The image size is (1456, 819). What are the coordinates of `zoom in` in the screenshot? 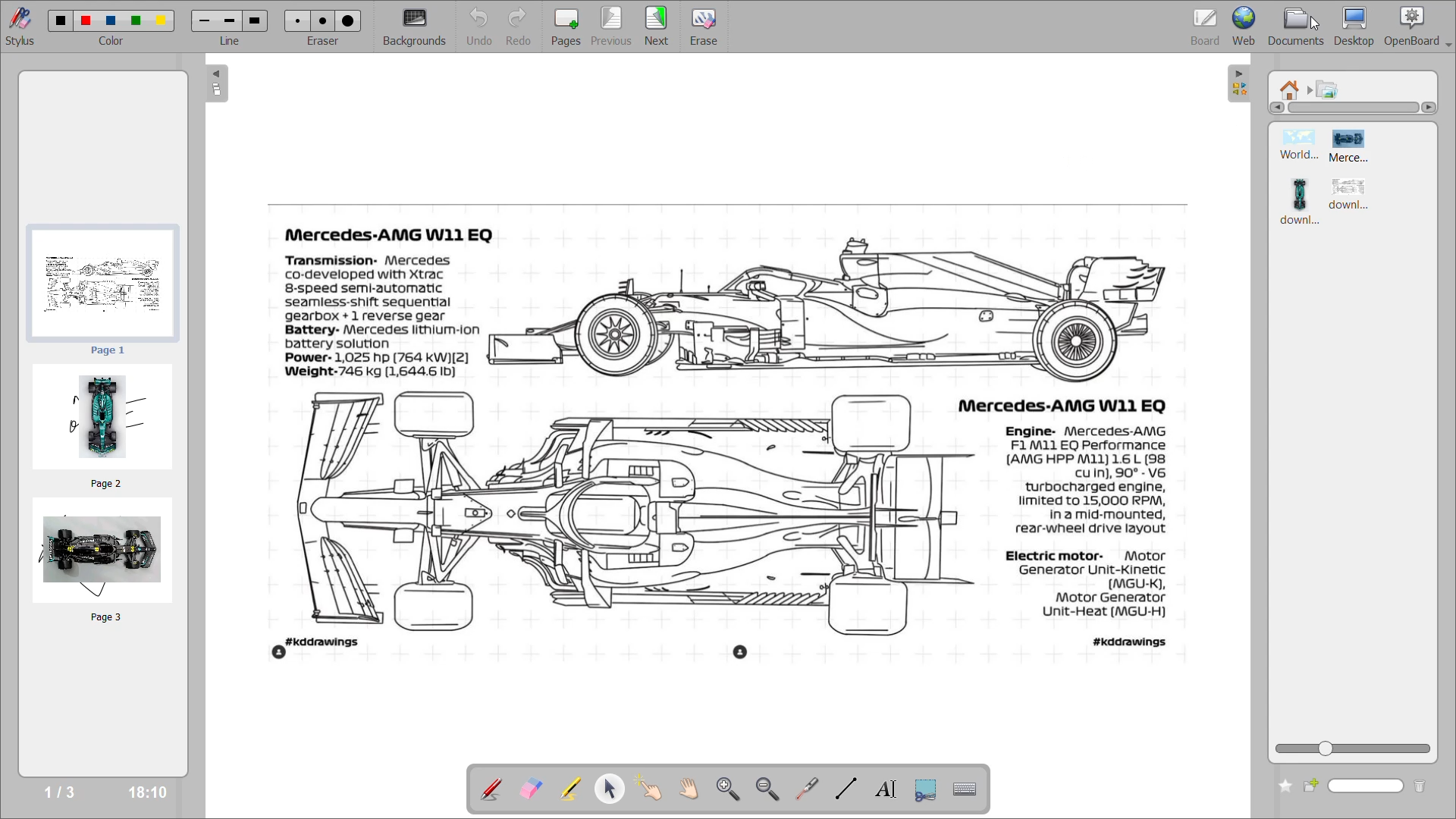 It's located at (731, 790).